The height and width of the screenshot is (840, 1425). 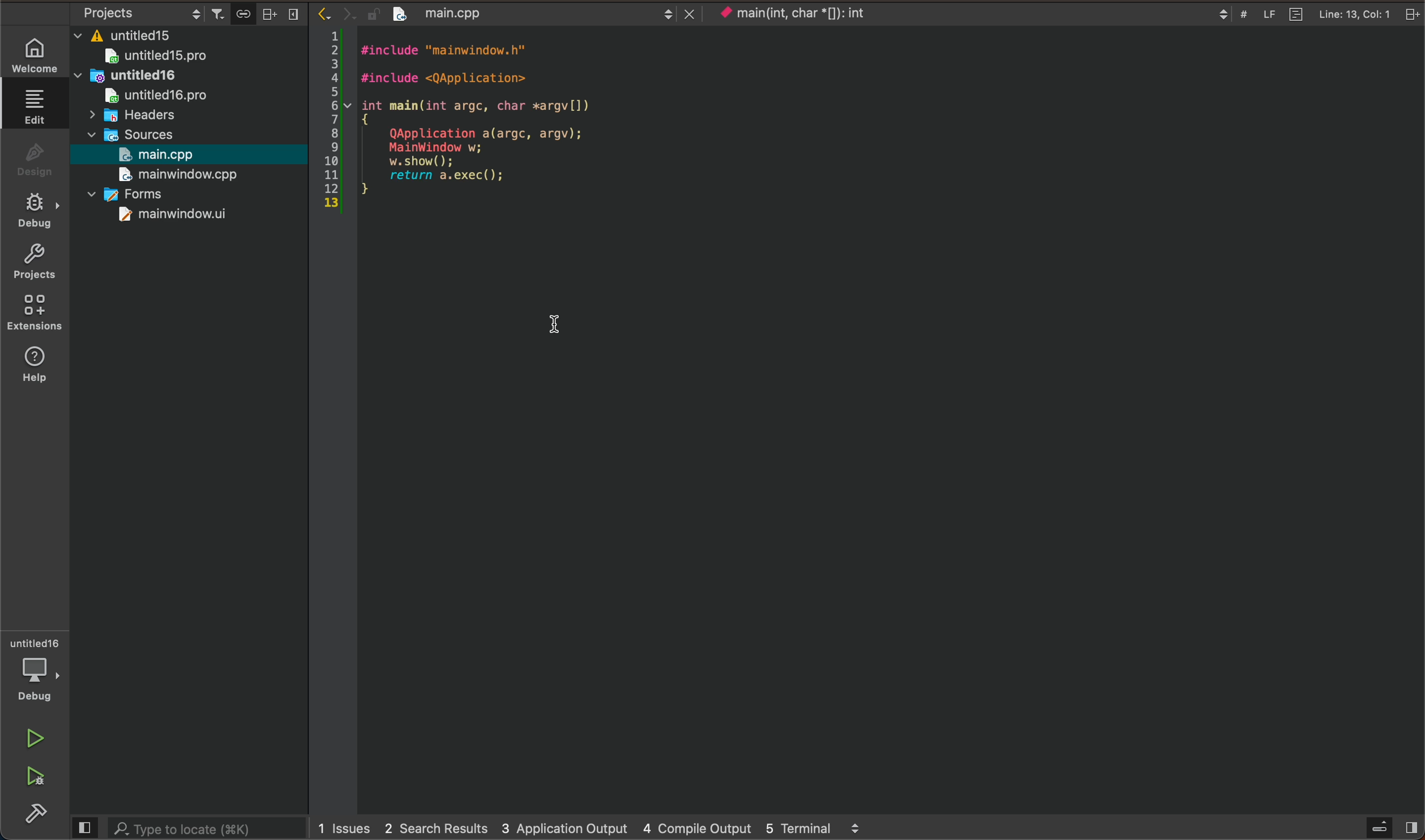 I want to click on extensions, so click(x=35, y=314).